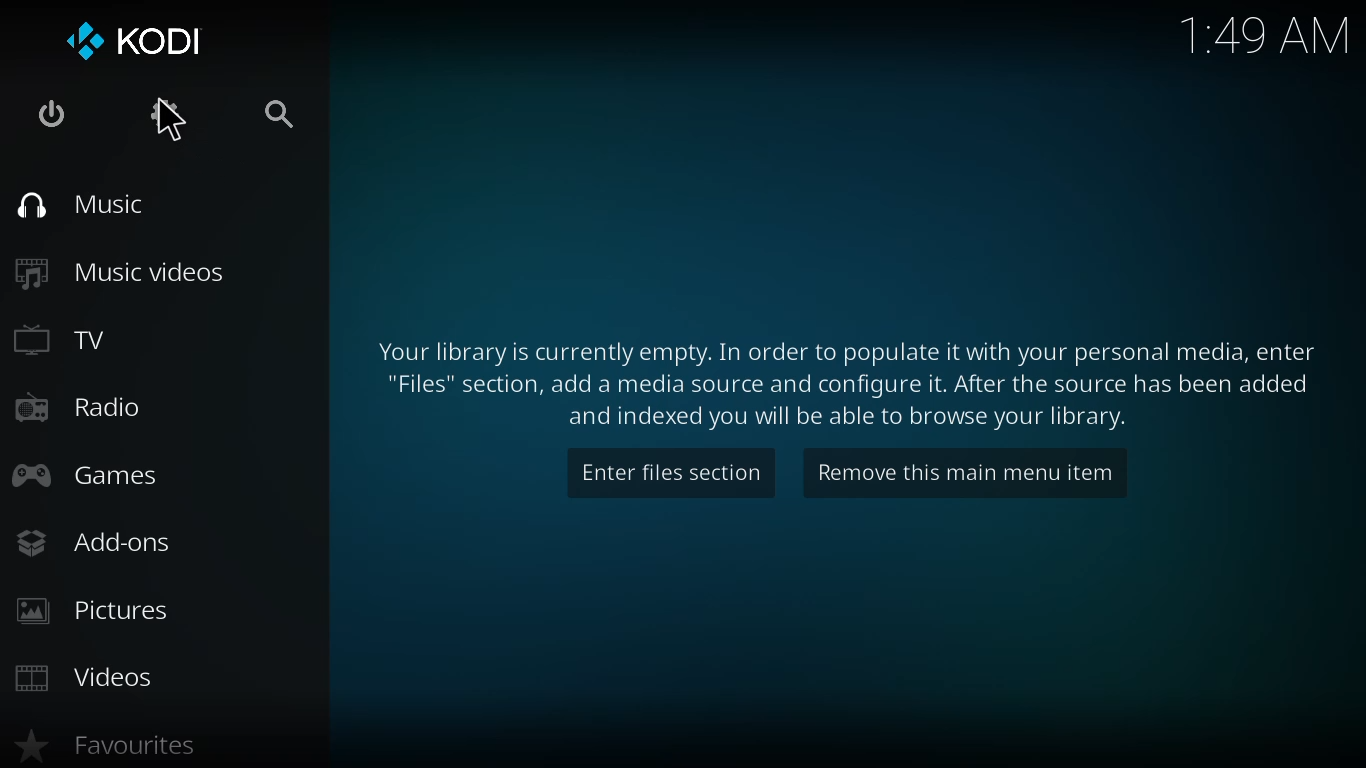 This screenshot has height=768, width=1366. I want to click on videos, so click(81, 676).